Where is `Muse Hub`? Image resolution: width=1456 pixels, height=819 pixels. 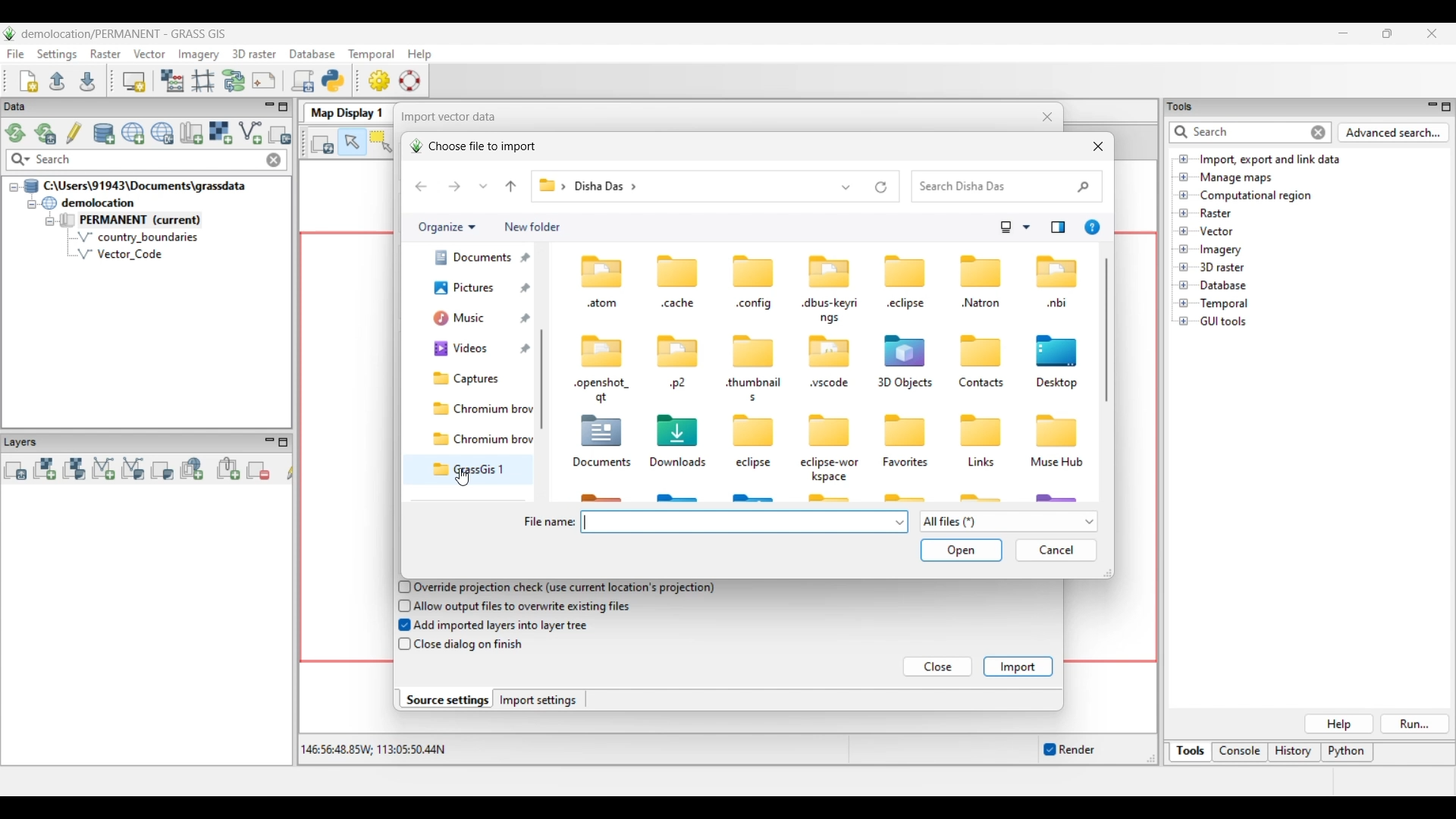
Muse Hub is located at coordinates (1057, 463).